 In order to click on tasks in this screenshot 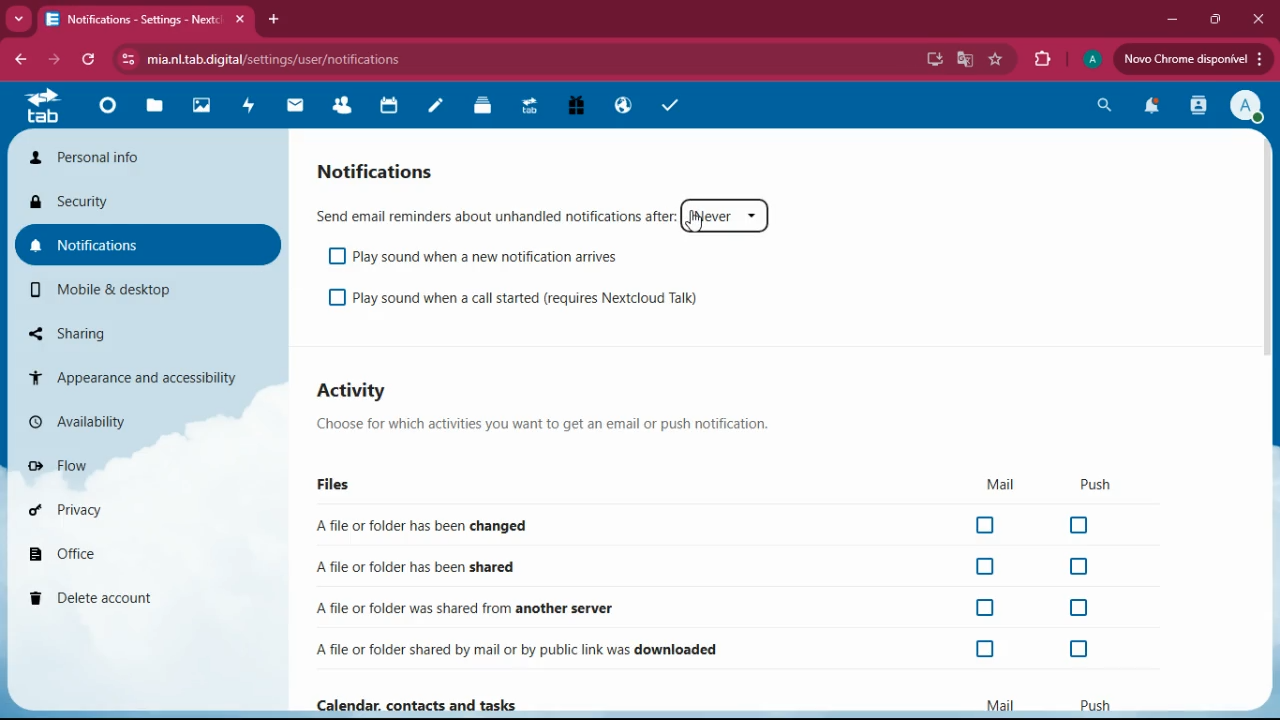, I will do `click(666, 106)`.